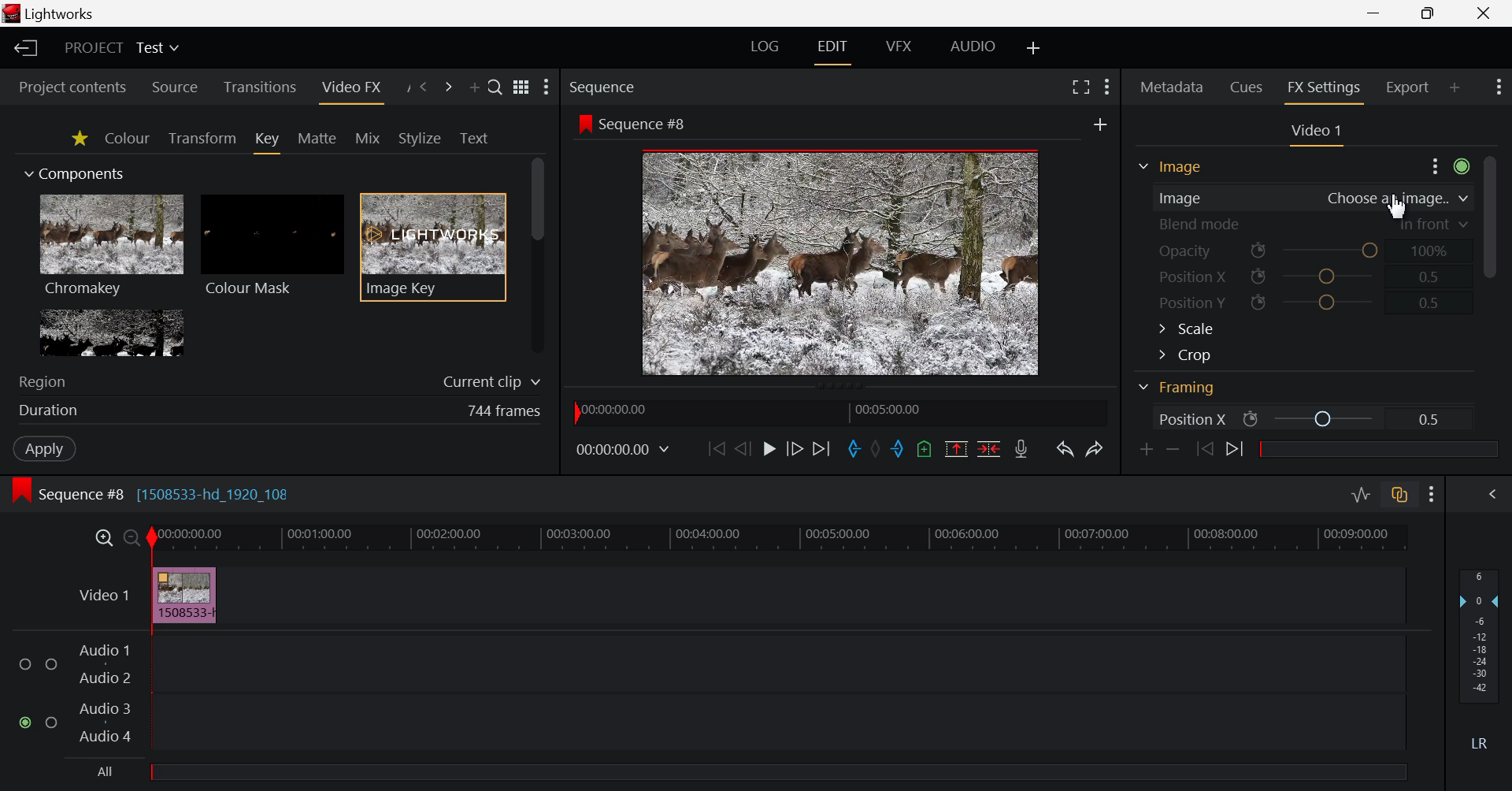  Describe the element at coordinates (1397, 199) in the screenshot. I see `choose an image` at that location.